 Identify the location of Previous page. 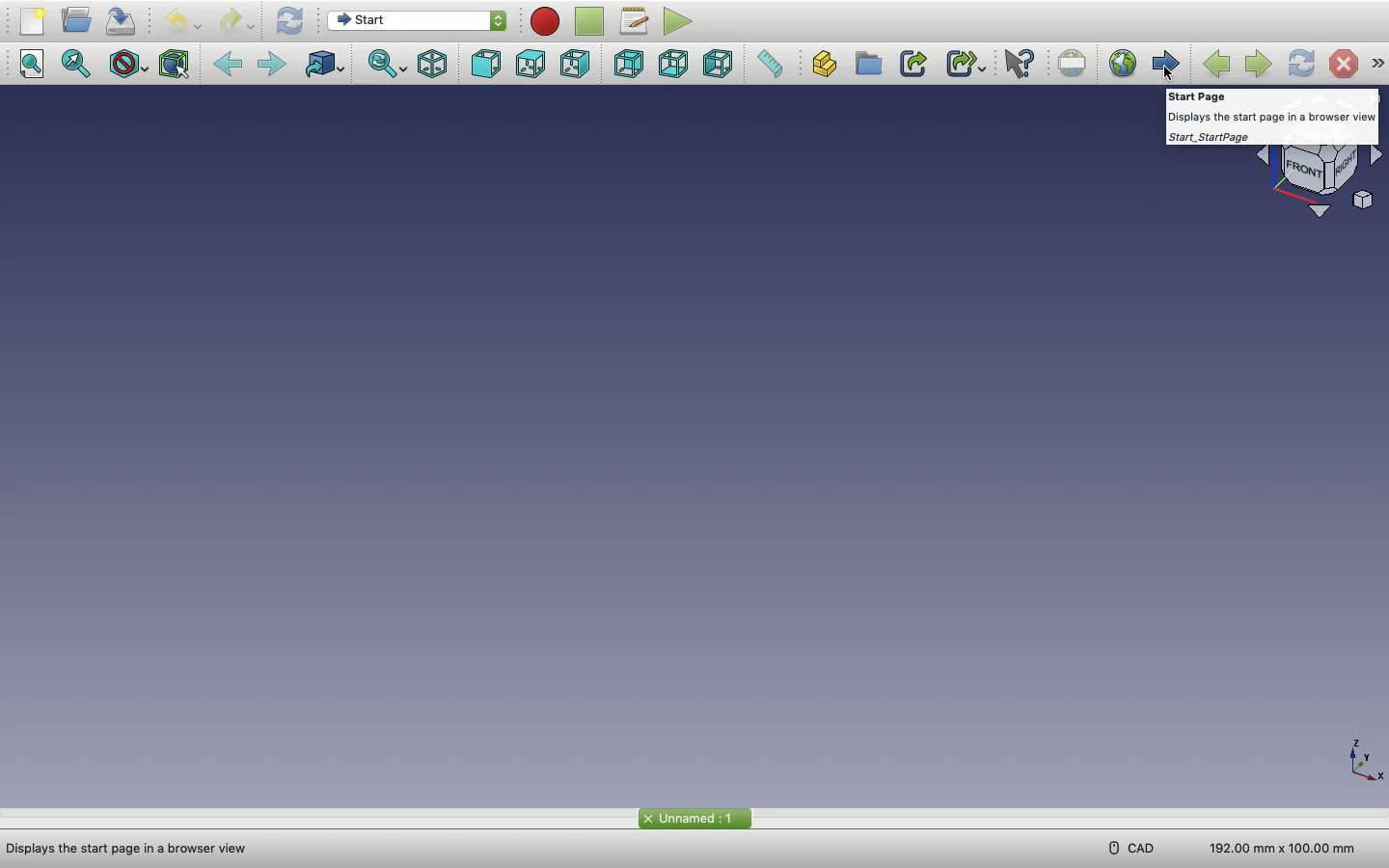
(1217, 66).